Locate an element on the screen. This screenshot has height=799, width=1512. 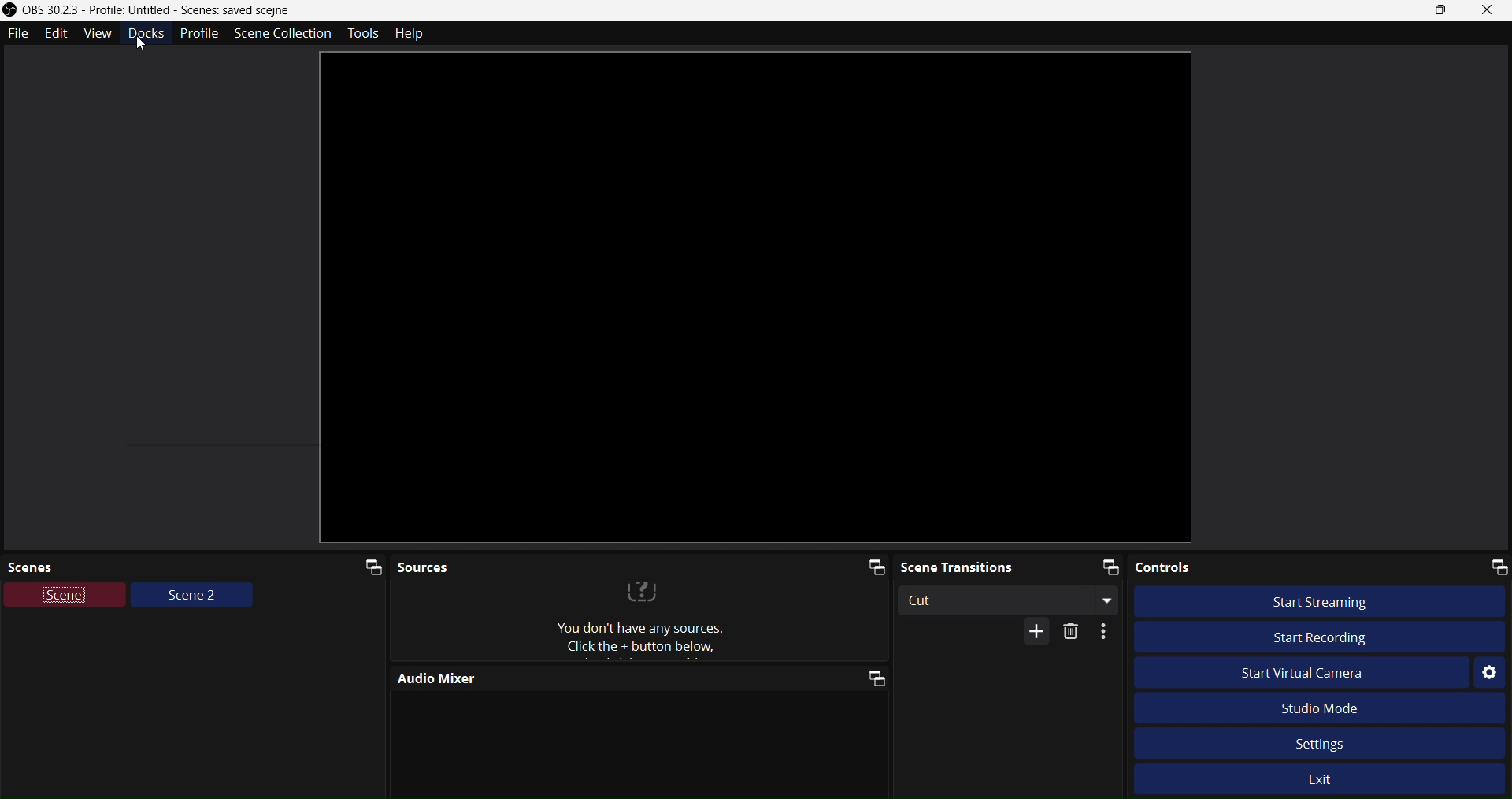
Sources is located at coordinates (587, 563).